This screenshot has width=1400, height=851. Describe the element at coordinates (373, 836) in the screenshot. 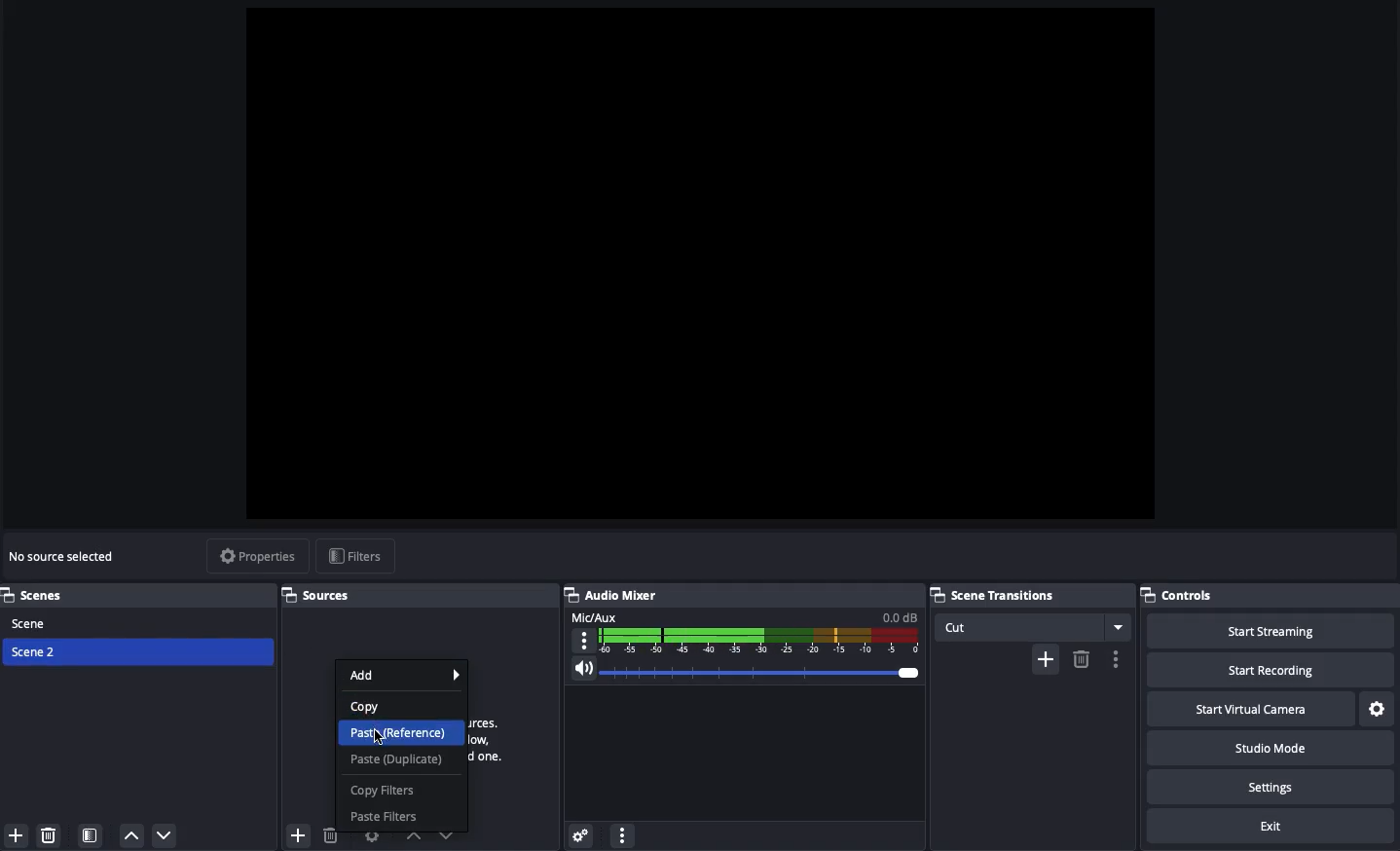

I see `Sources preference` at that location.